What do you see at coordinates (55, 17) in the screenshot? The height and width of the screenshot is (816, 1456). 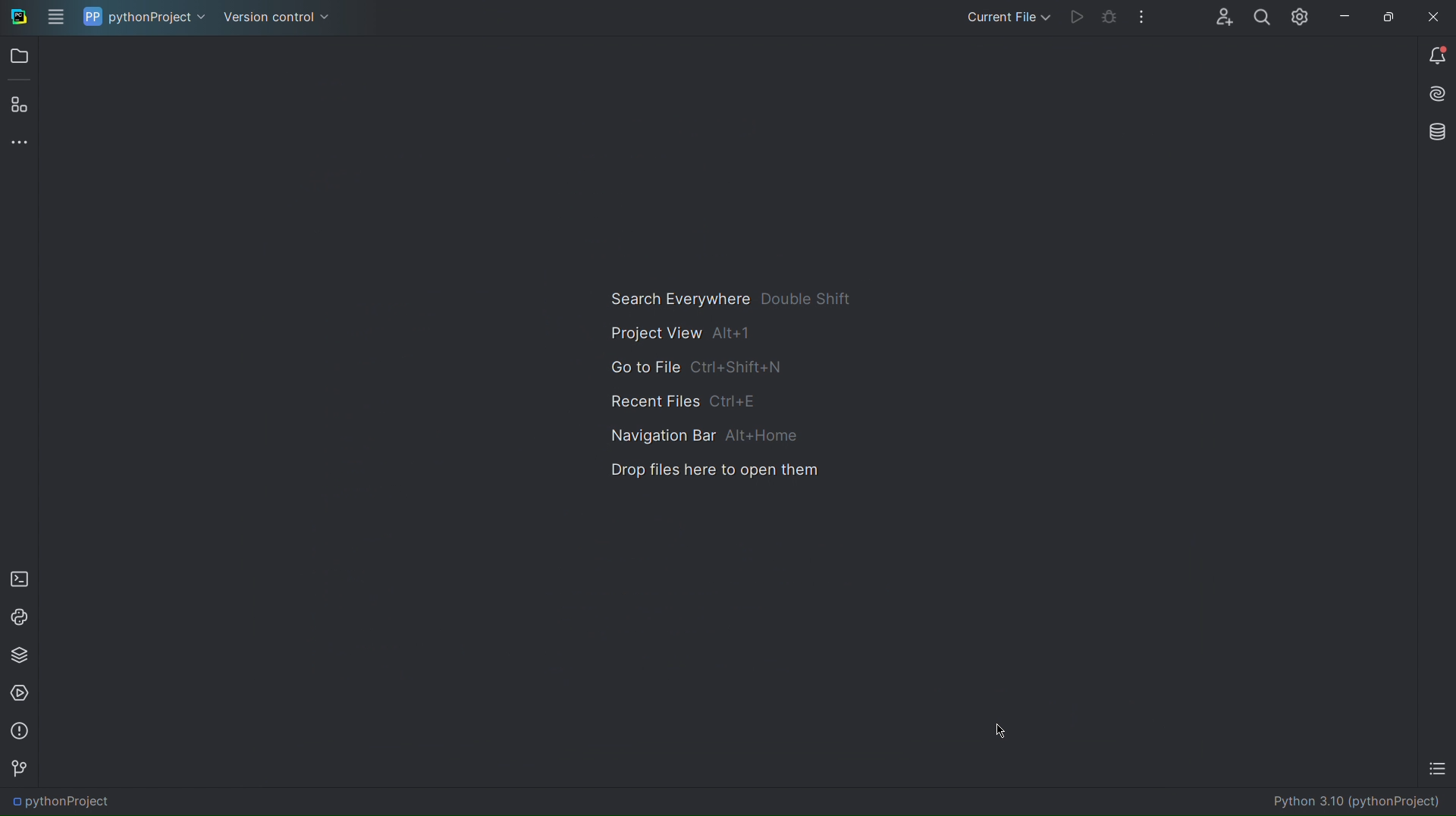 I see `Application Menu` at bounding box center [55, 17].